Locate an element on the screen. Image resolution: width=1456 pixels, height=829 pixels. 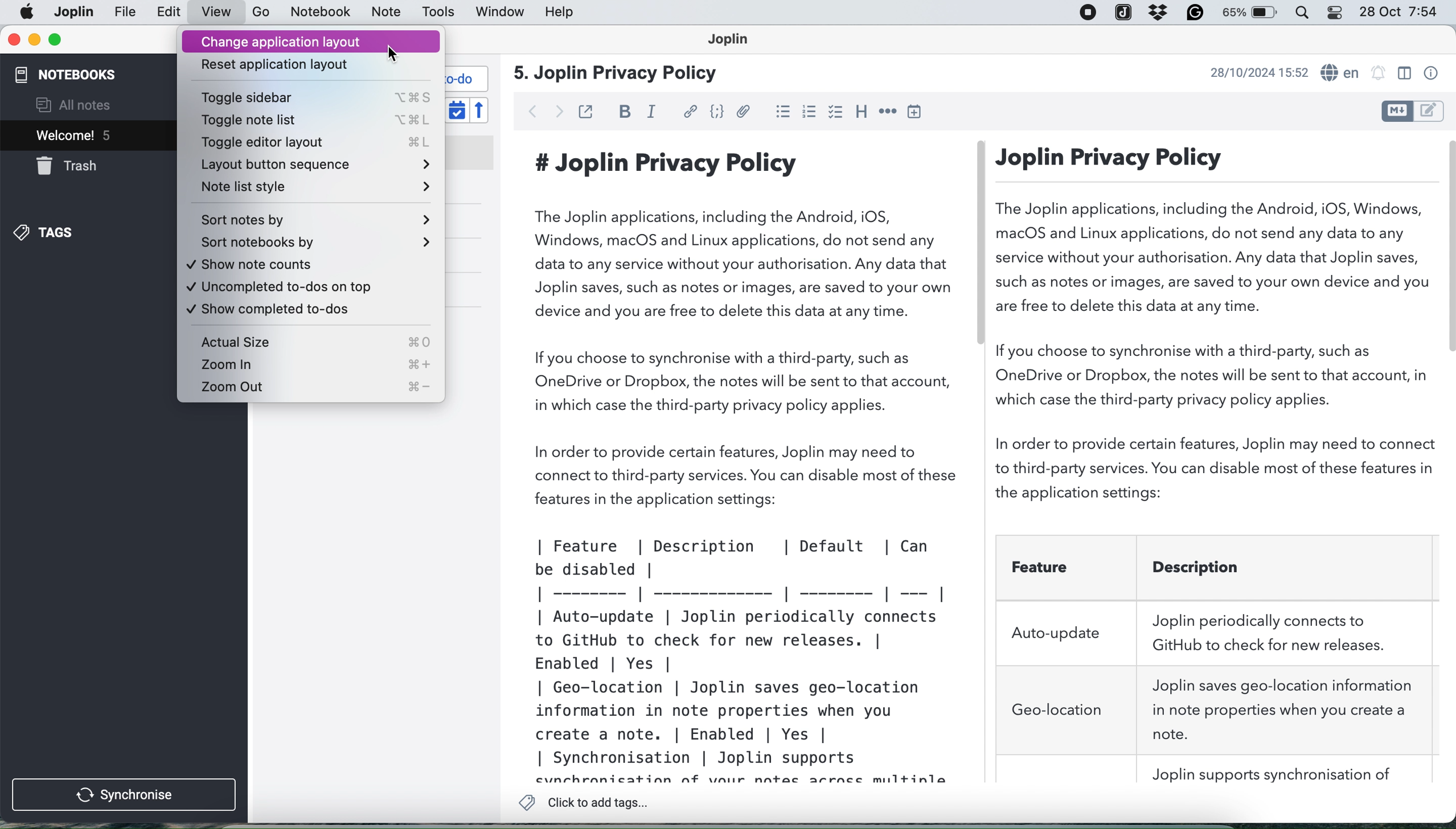
control center is located at coordinates (1307, 13).